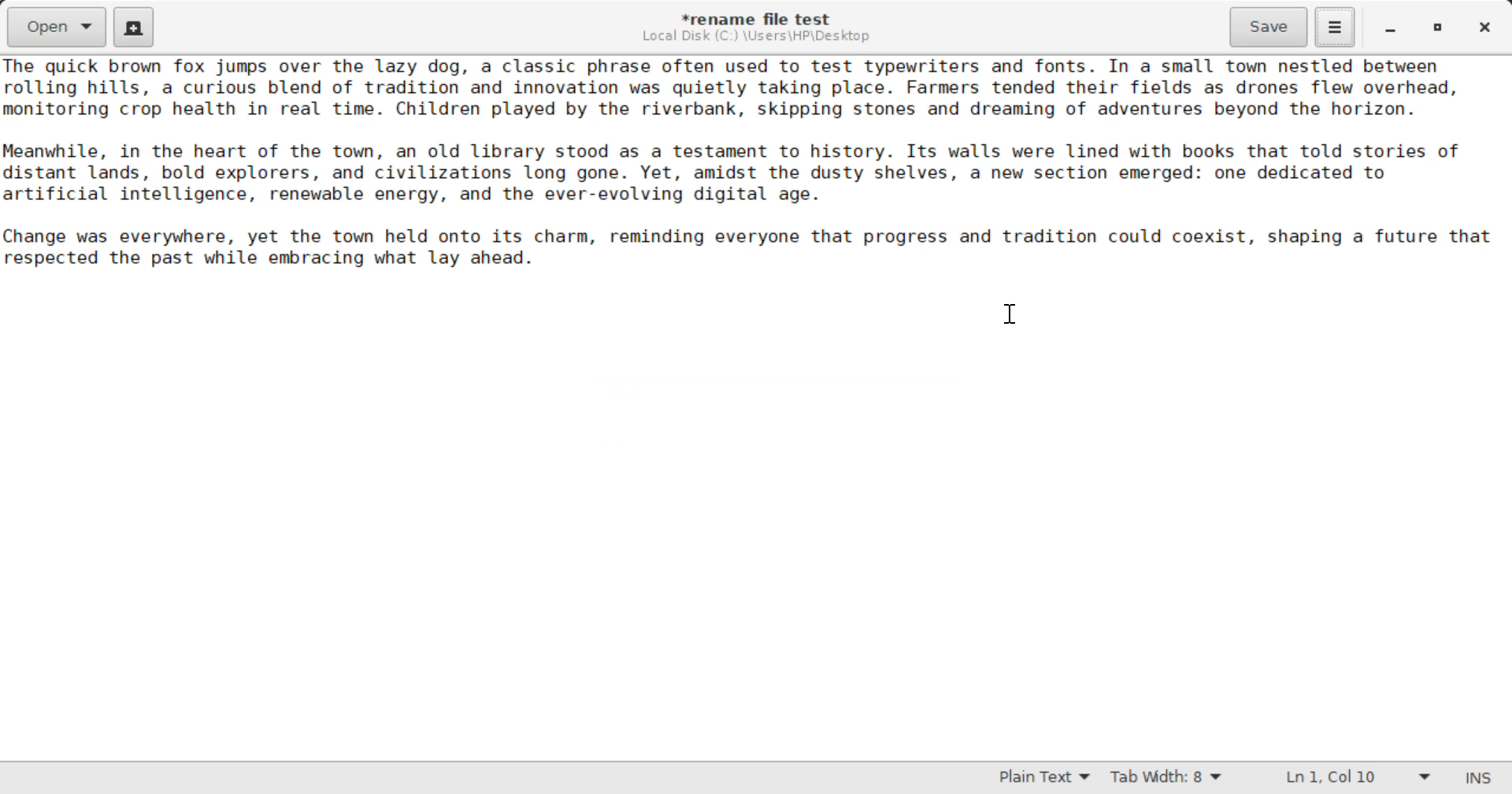 The height and width of the screenshot is (794, 1512). I want to click on Save File, so click(1271, 25).